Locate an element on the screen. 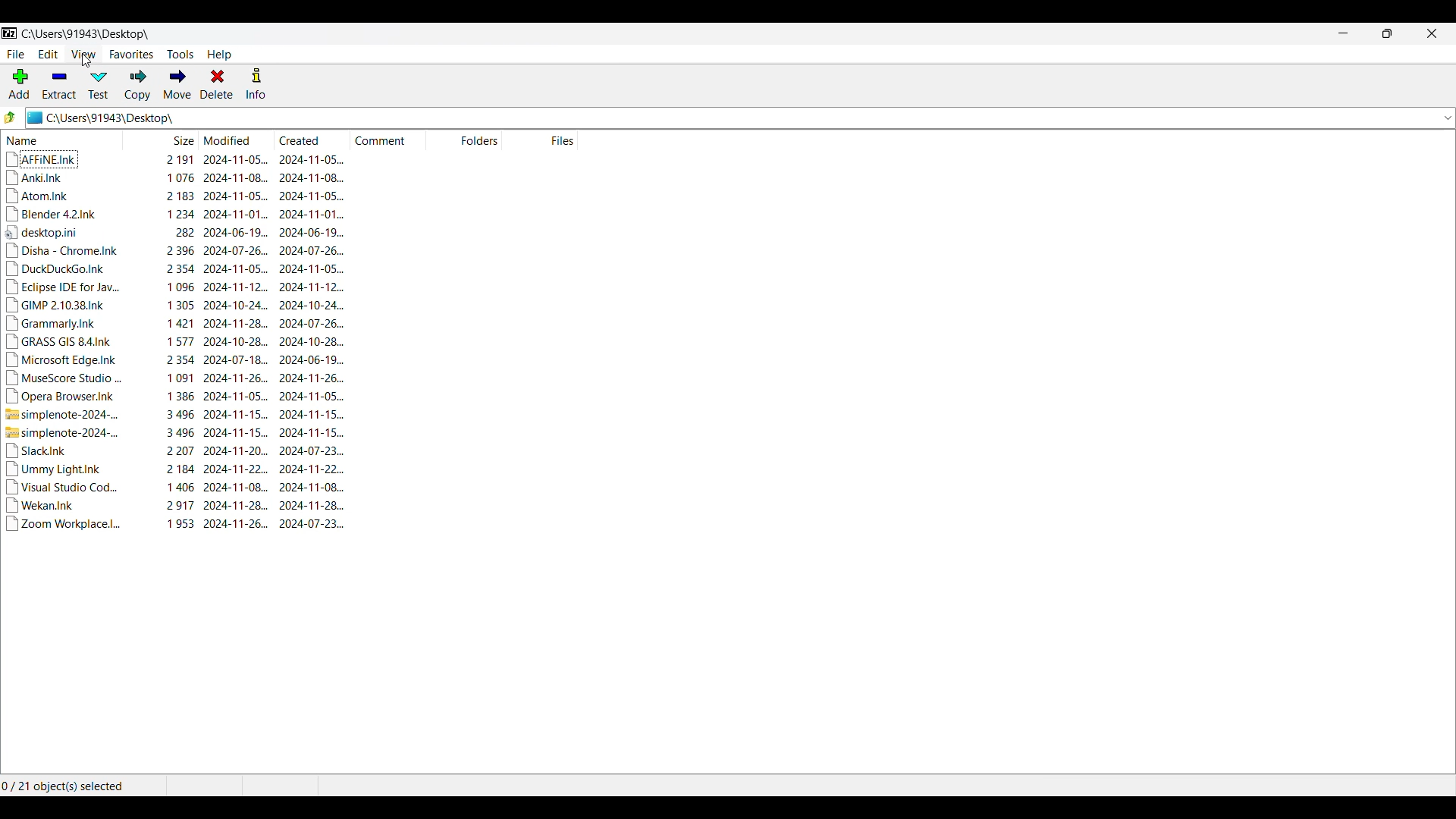  Anki.Ink 1076 2024-11-08. 2024-11-08. is located at coordinates (183, 178).